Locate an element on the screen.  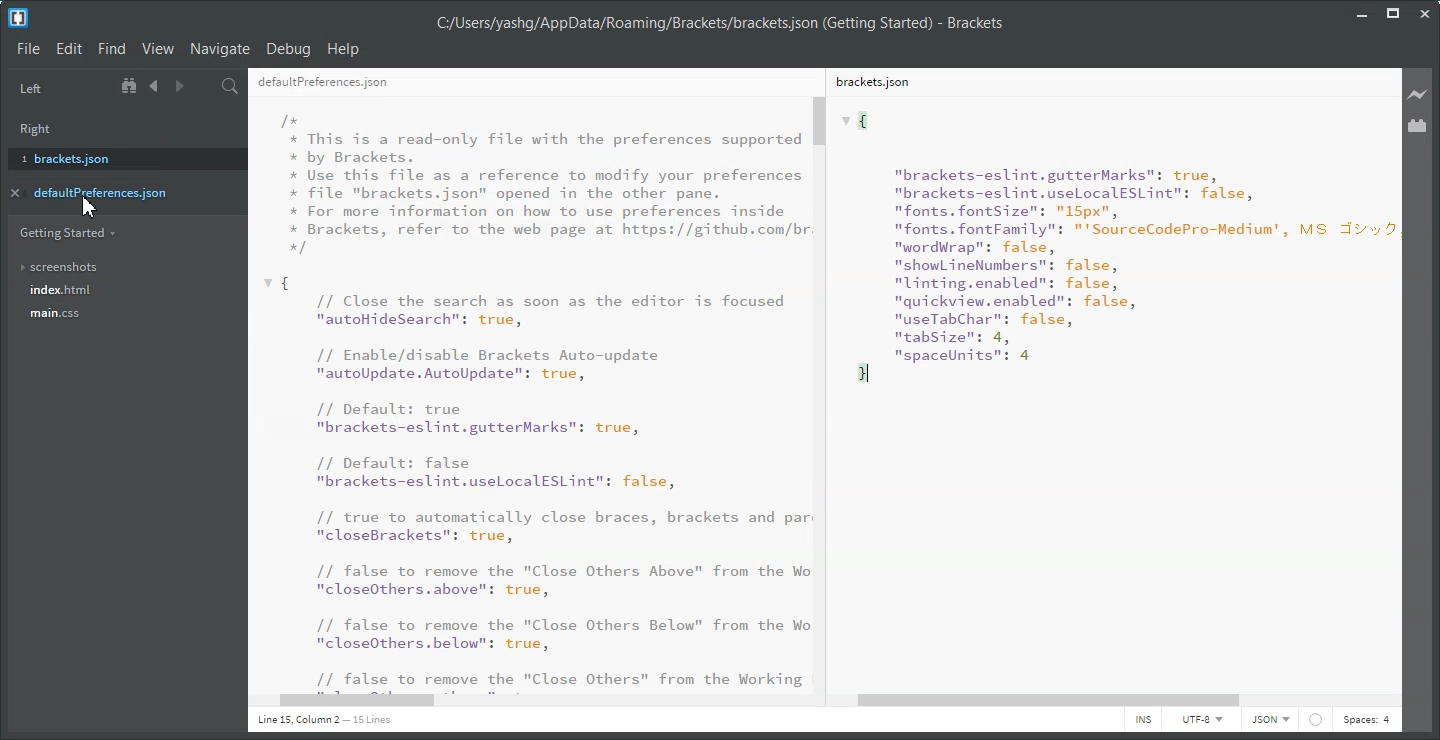
Text is located at coordinates (526, 393).